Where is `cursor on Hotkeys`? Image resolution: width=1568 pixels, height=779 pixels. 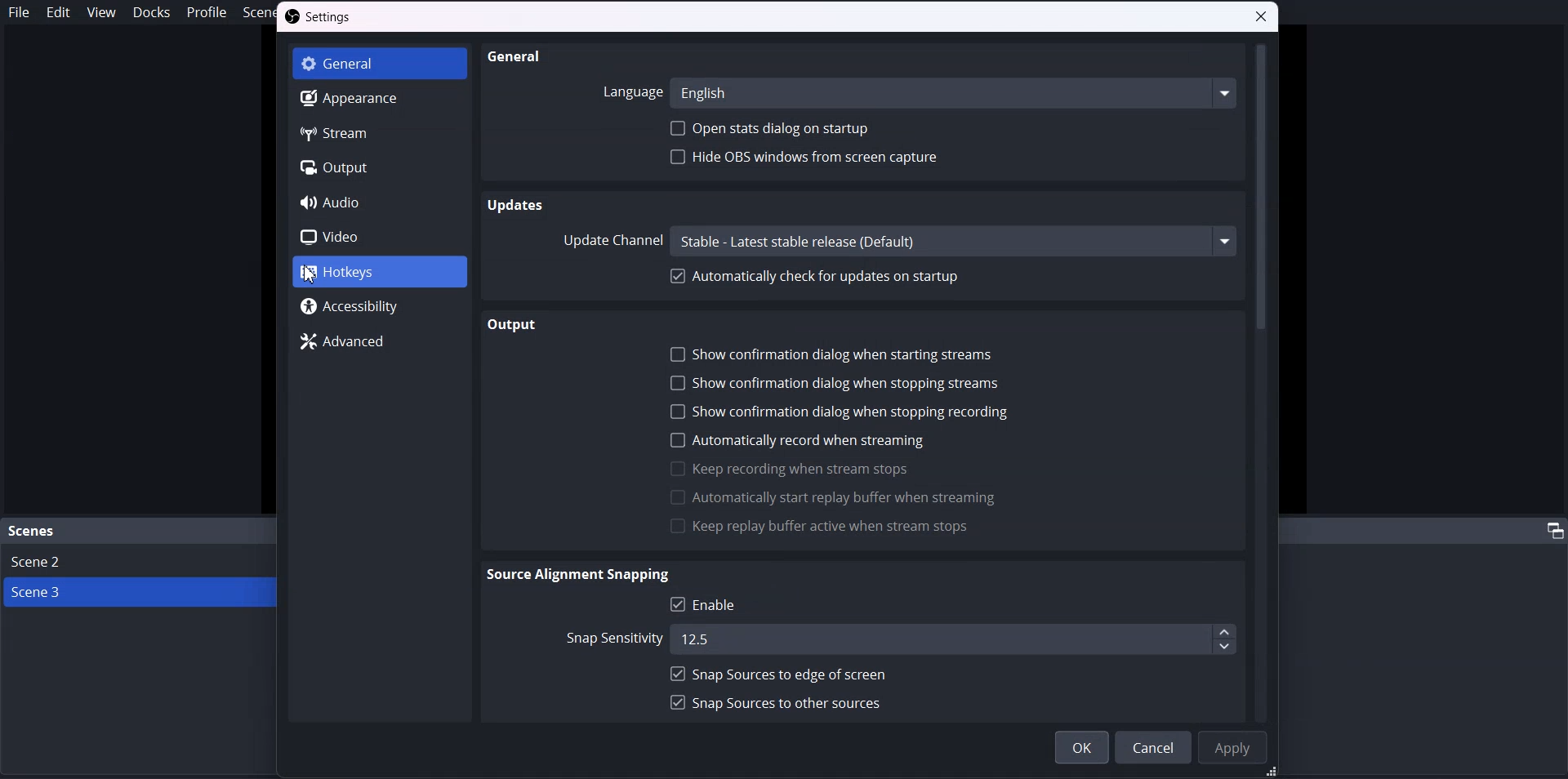
cursor on Hotkeys is located at coordinates (313, 275).